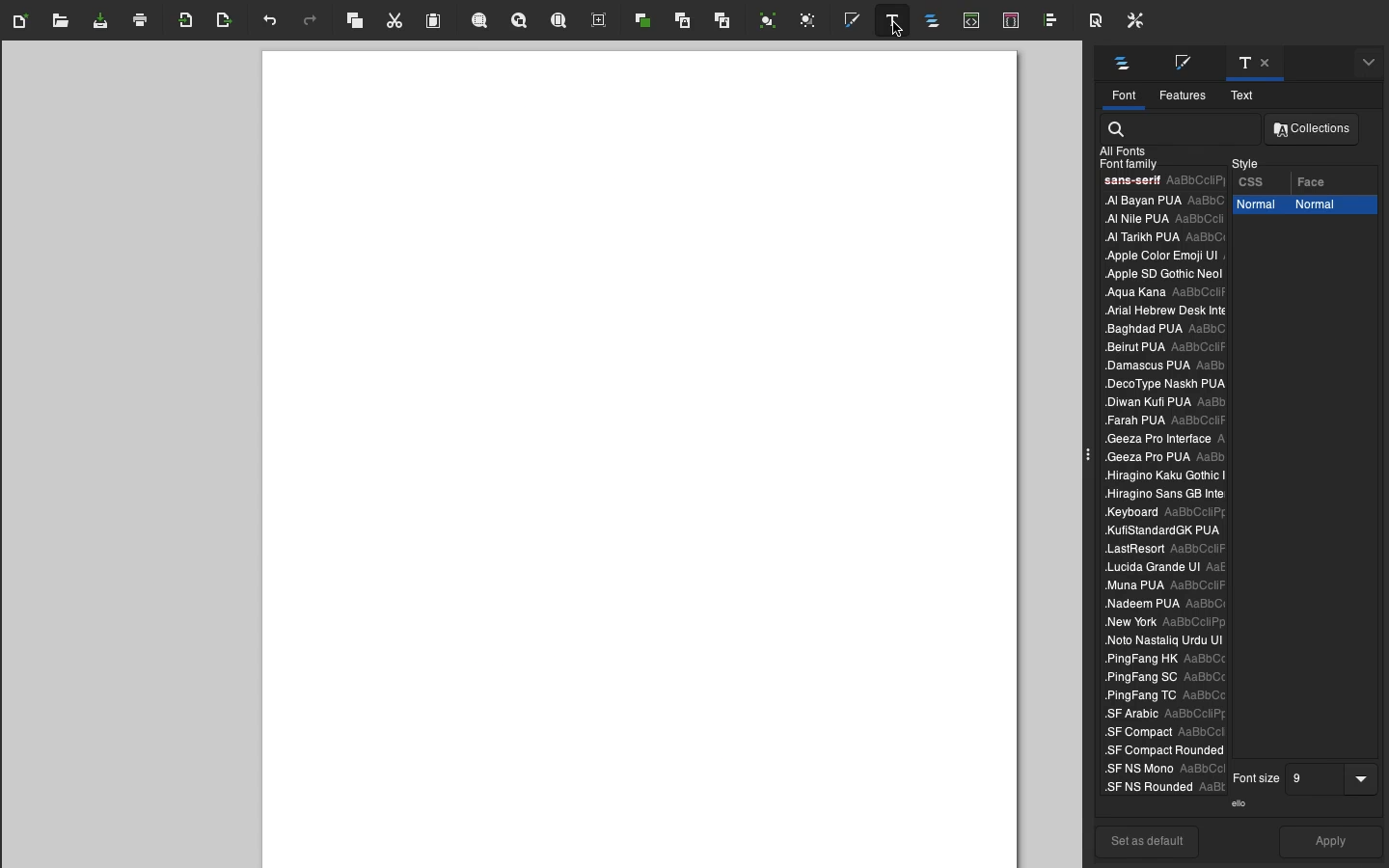 This screenshot has width=1389, height=868. I want to click on .SF NS Mono, so click(1161, 770).